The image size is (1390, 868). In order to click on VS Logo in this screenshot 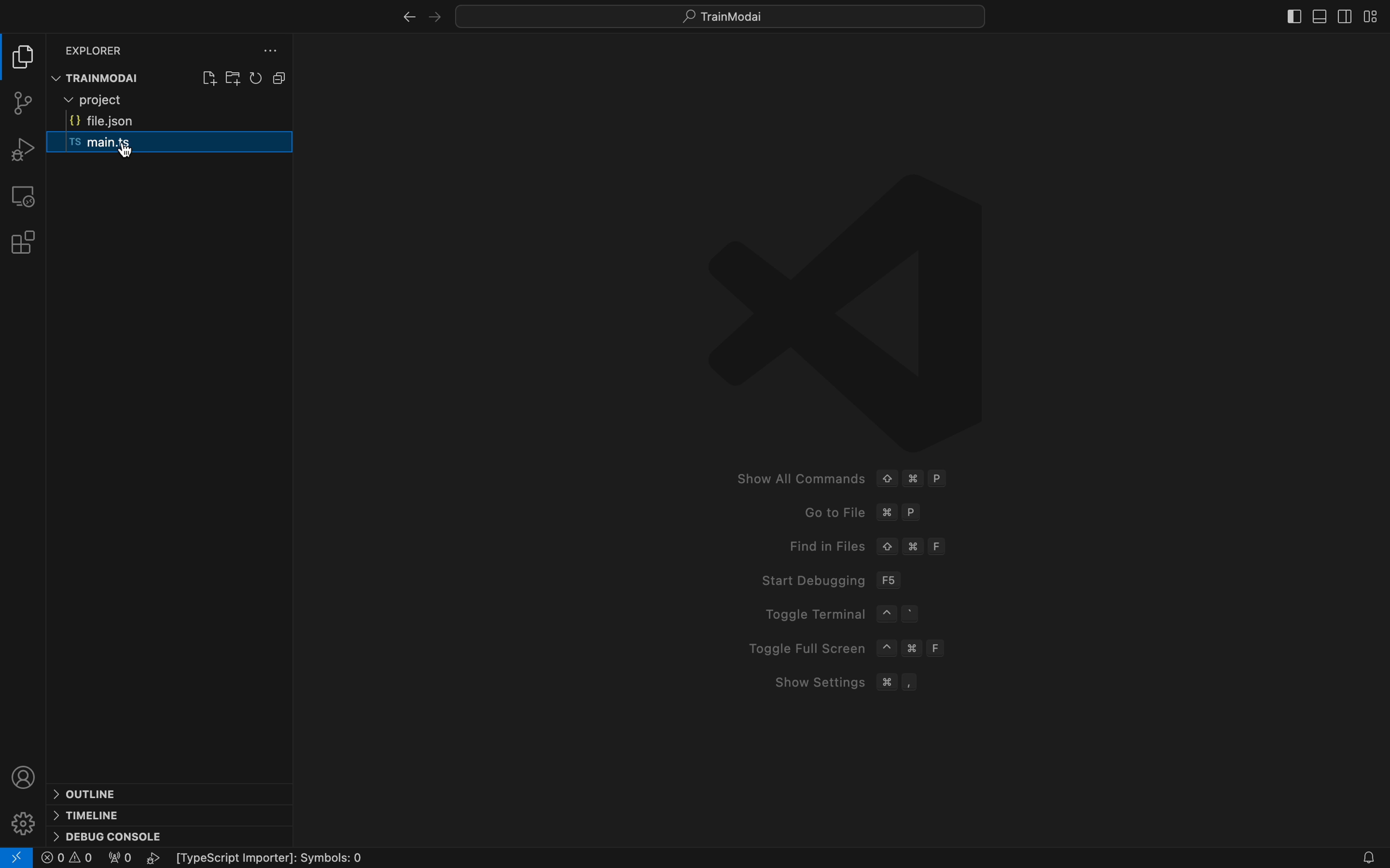, I will do `click(831, 297)`.